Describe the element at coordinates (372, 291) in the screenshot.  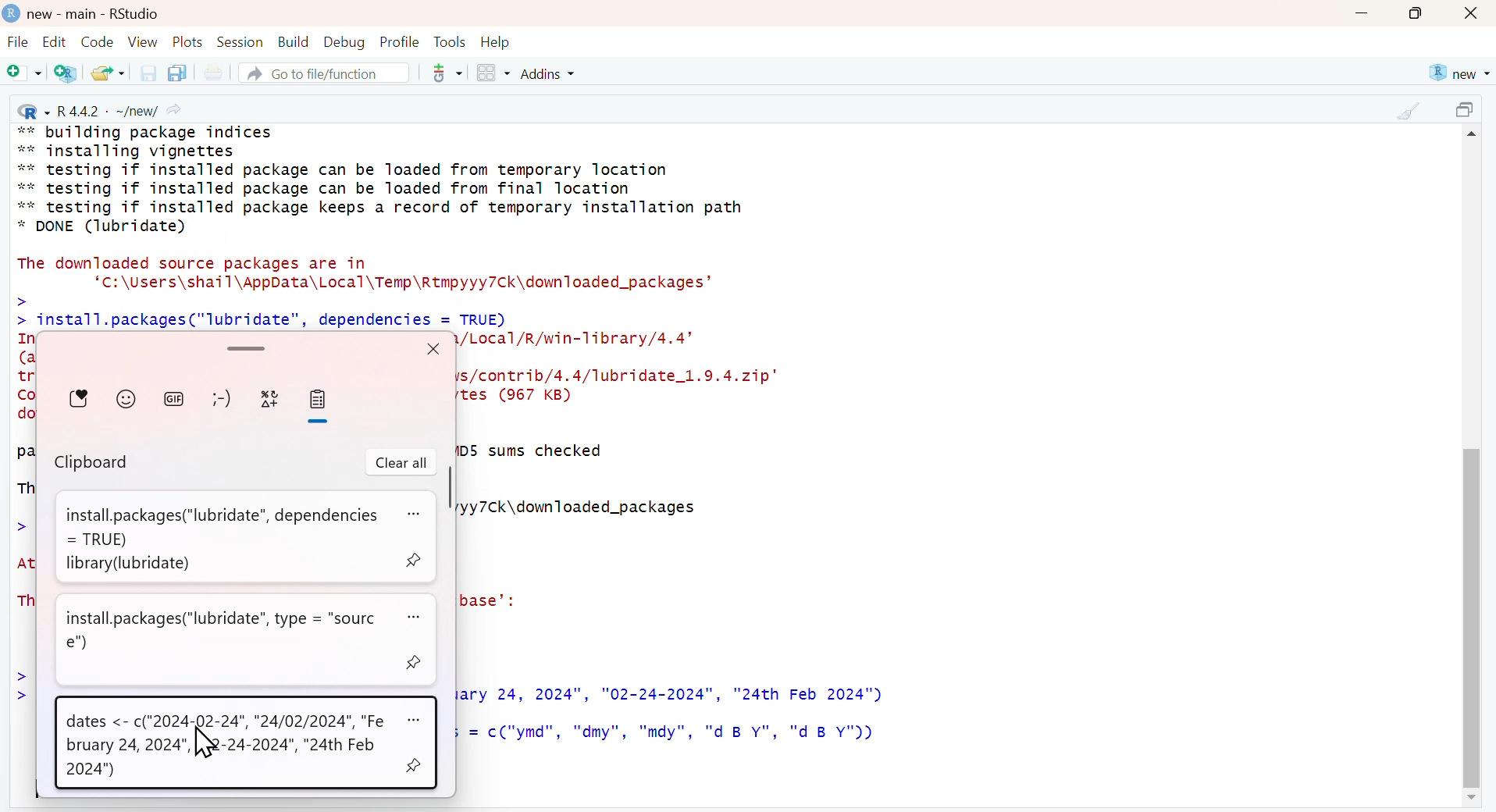
I see `The downloaded source packages are in
‘c:\Users\shail\AppData\Local\Temp\Rtmpyyy7Ck\downloaded_packages’

>

> install.packages("lubridate"”, dependencies = TRUE)` at that location.